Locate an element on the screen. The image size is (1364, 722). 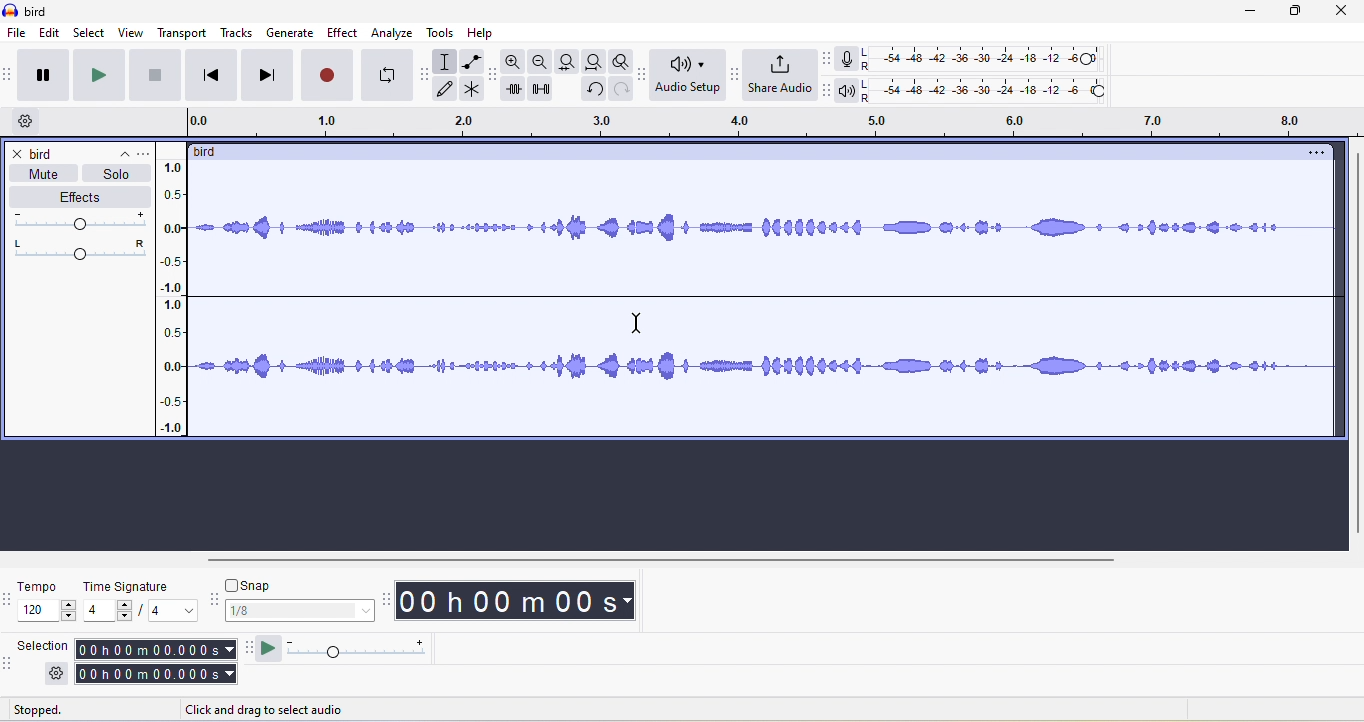
trim audio outside selection is located at coordinates (517, 92).